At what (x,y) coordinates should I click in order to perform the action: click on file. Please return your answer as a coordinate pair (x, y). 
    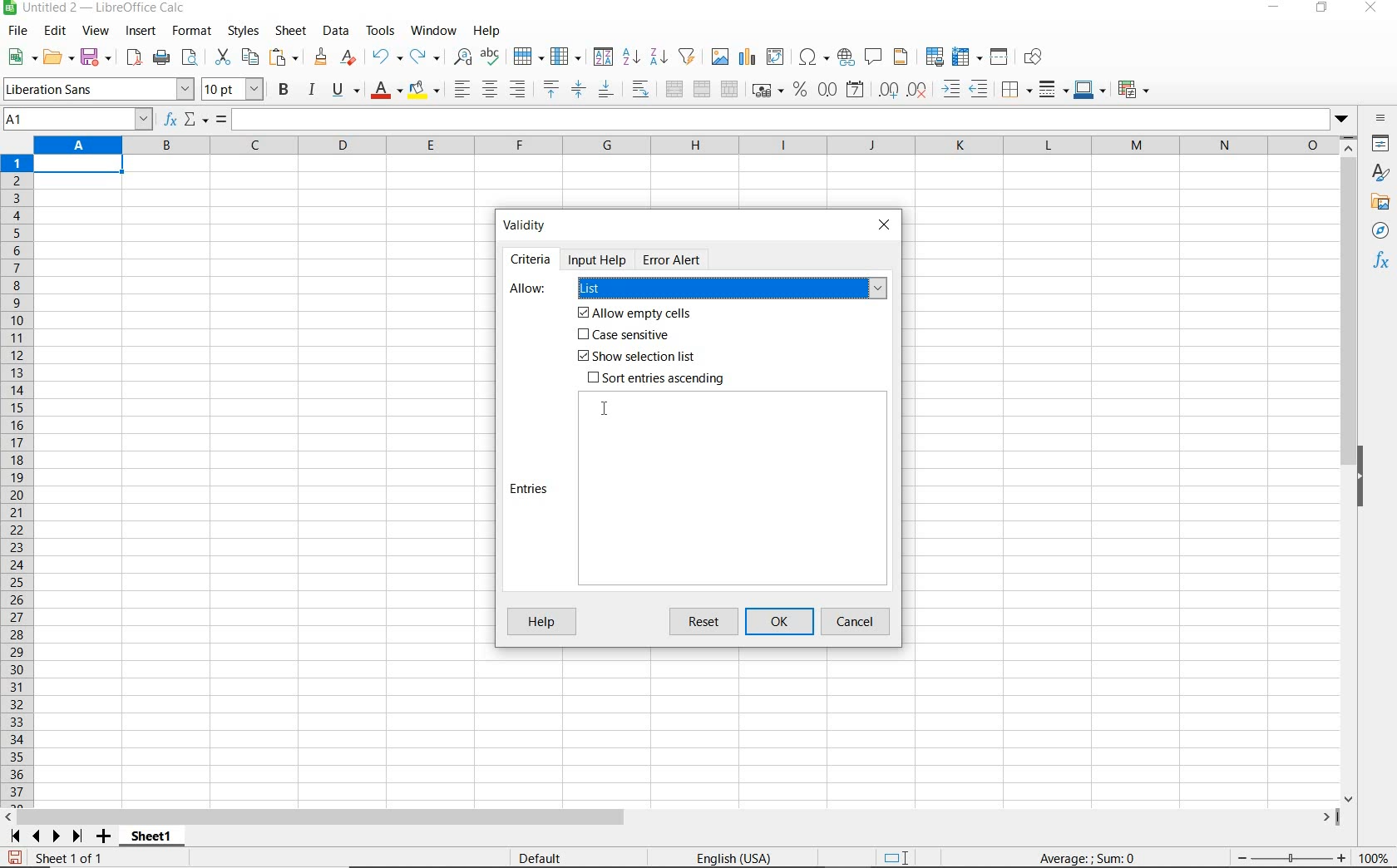
    Looking at the image, I should click on (15, 33).